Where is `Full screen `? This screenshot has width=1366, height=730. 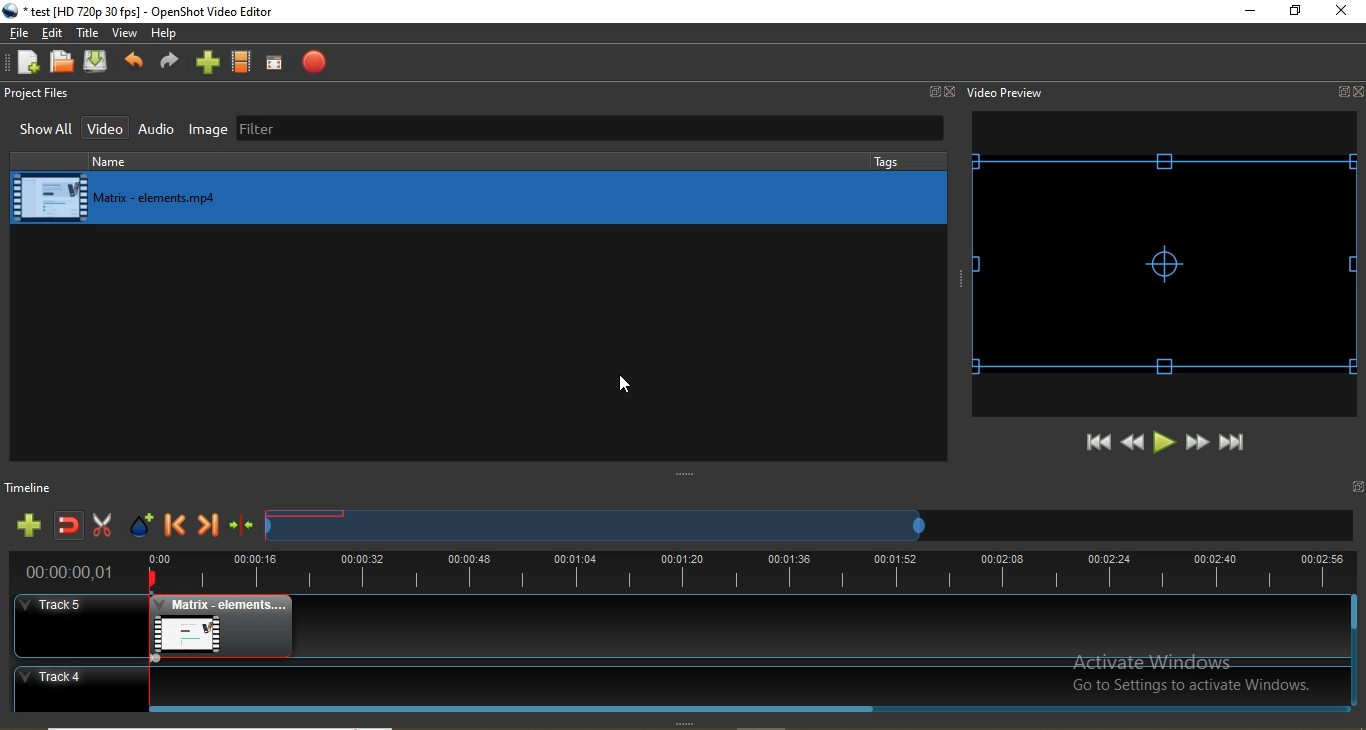
Full screen  is located at coordinates (274, 63).